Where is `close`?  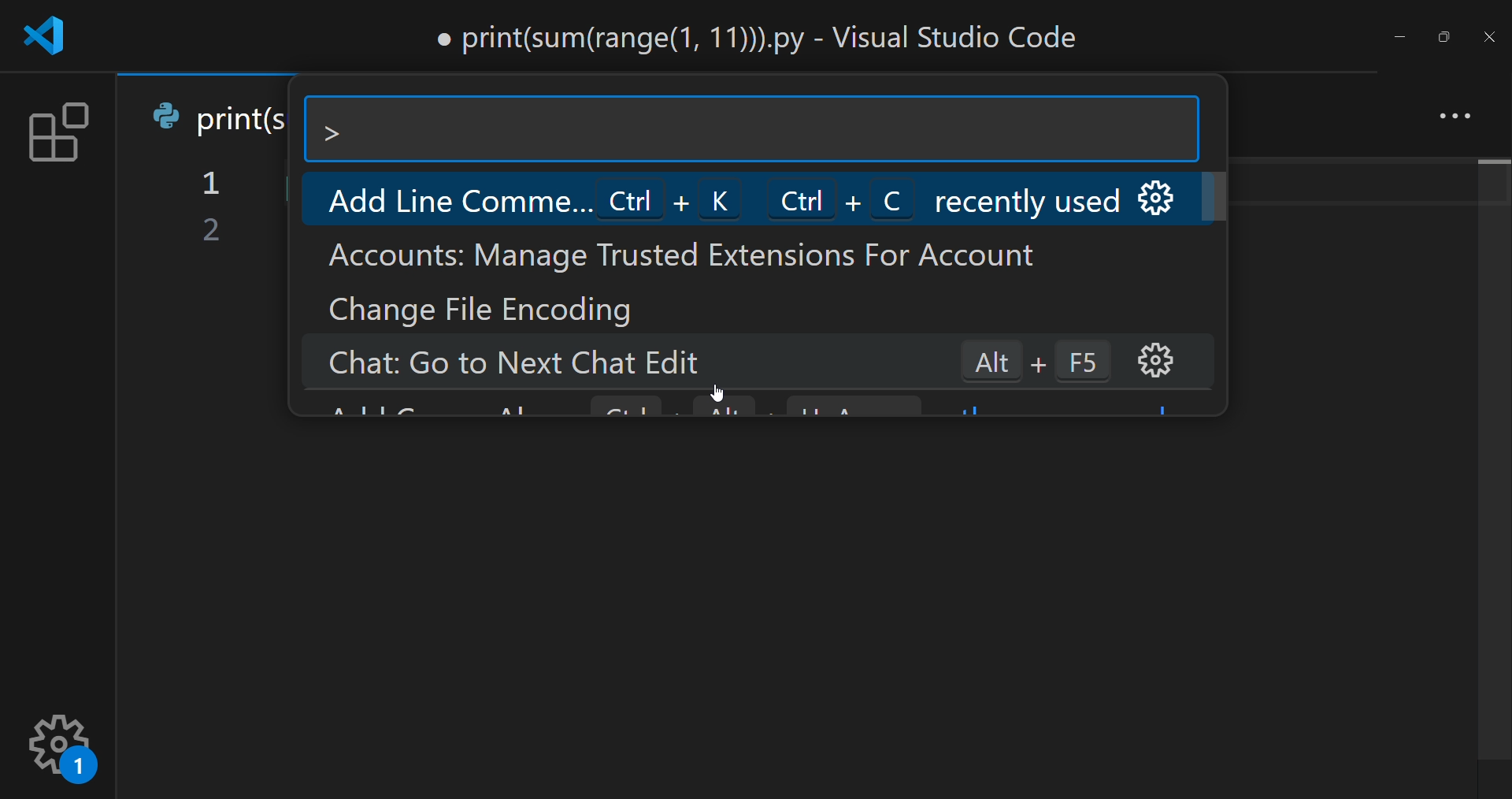
close is located at coordinates (1488, 38).